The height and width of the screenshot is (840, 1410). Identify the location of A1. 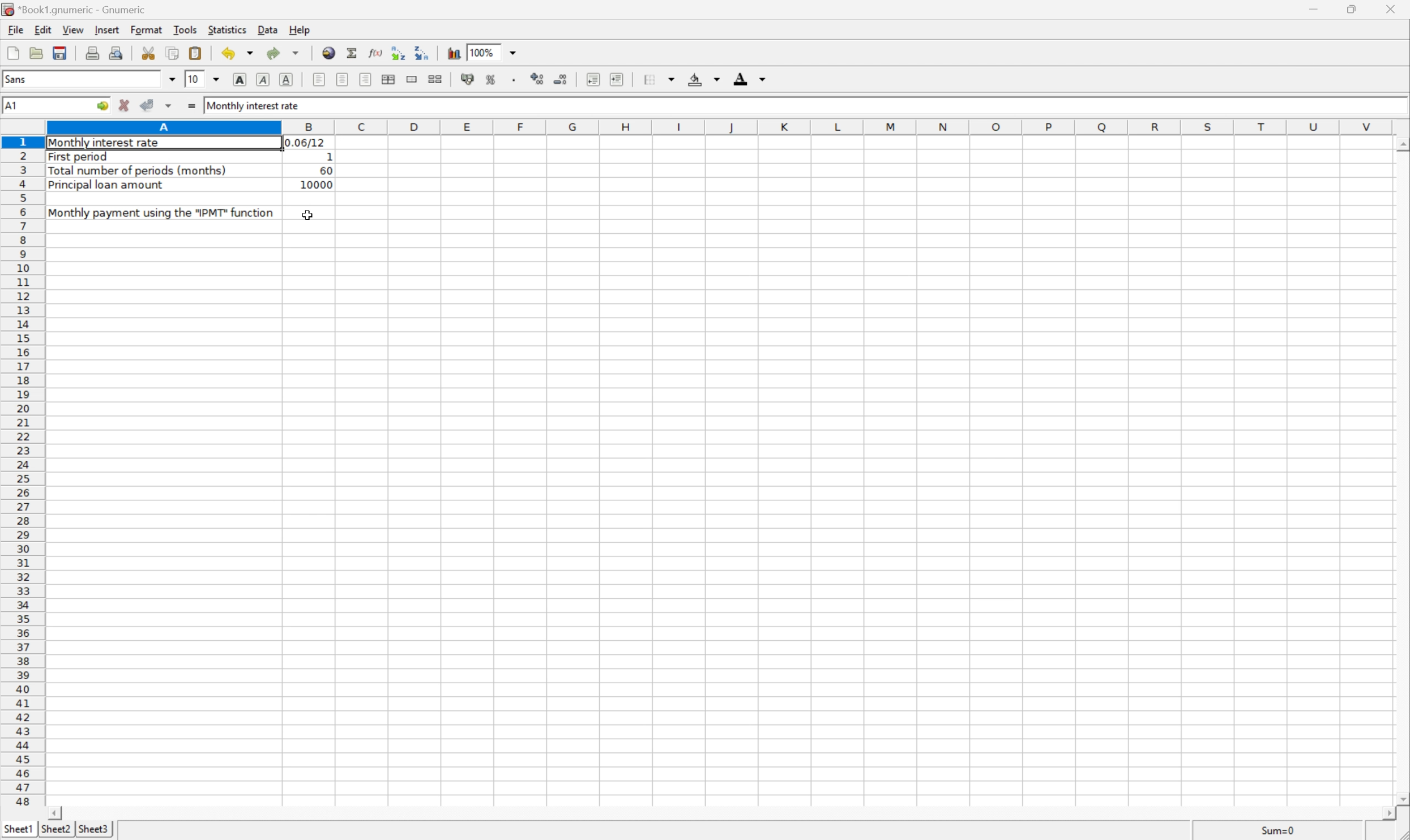
(21, 105).